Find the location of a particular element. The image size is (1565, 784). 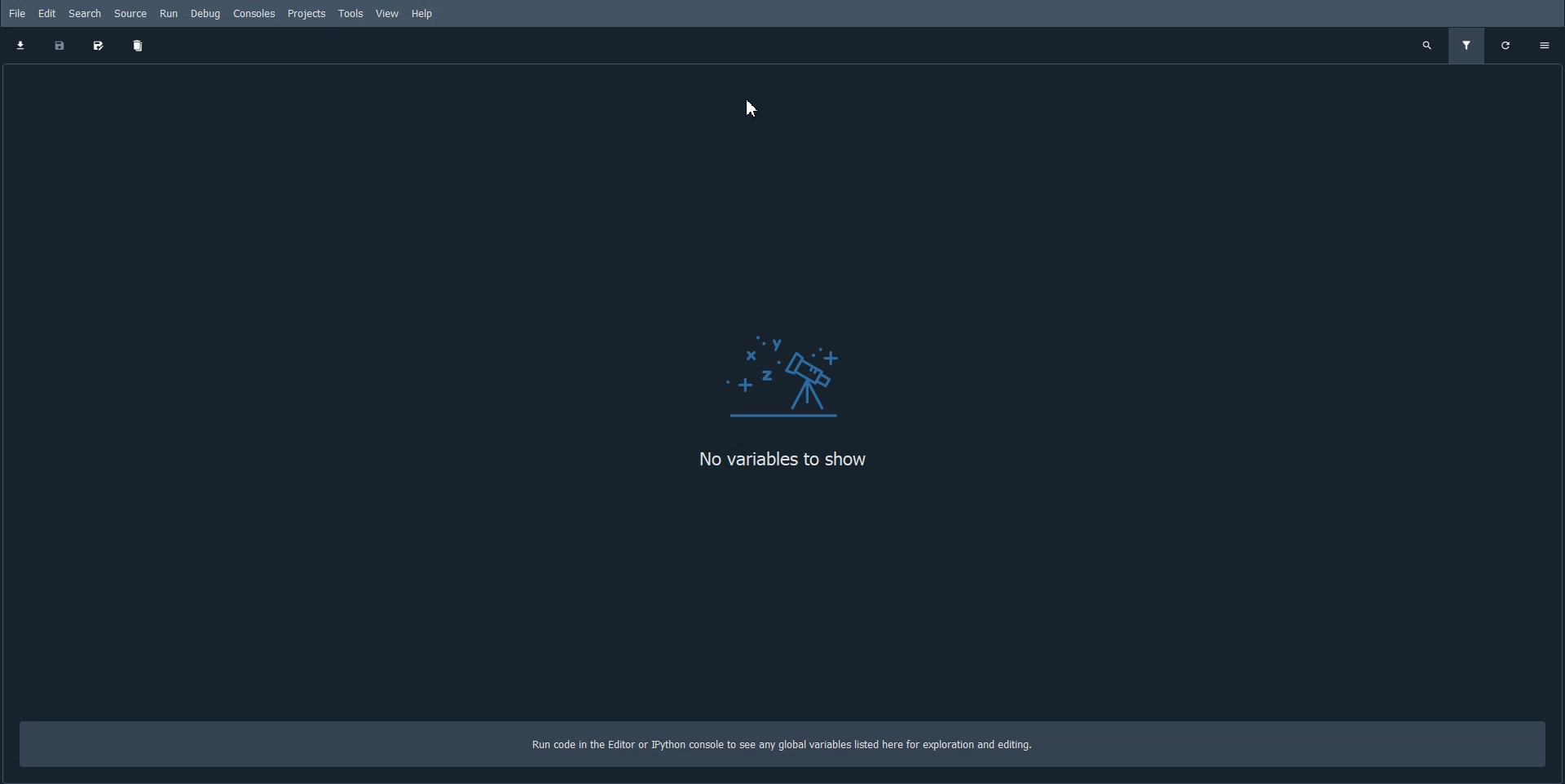

Search Variables is located at coordinates (1428, 46).